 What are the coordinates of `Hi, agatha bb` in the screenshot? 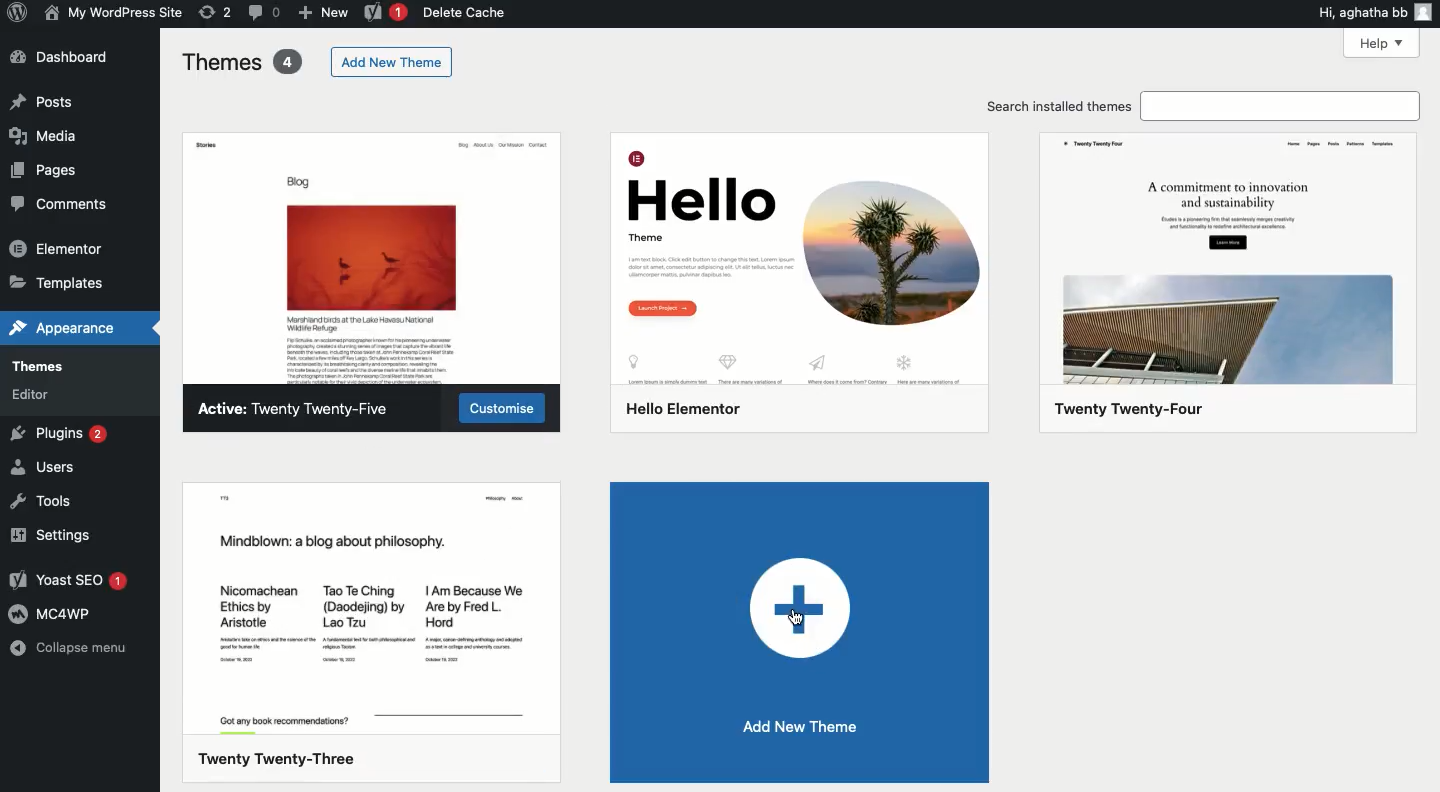 It's located at (1358, 13).